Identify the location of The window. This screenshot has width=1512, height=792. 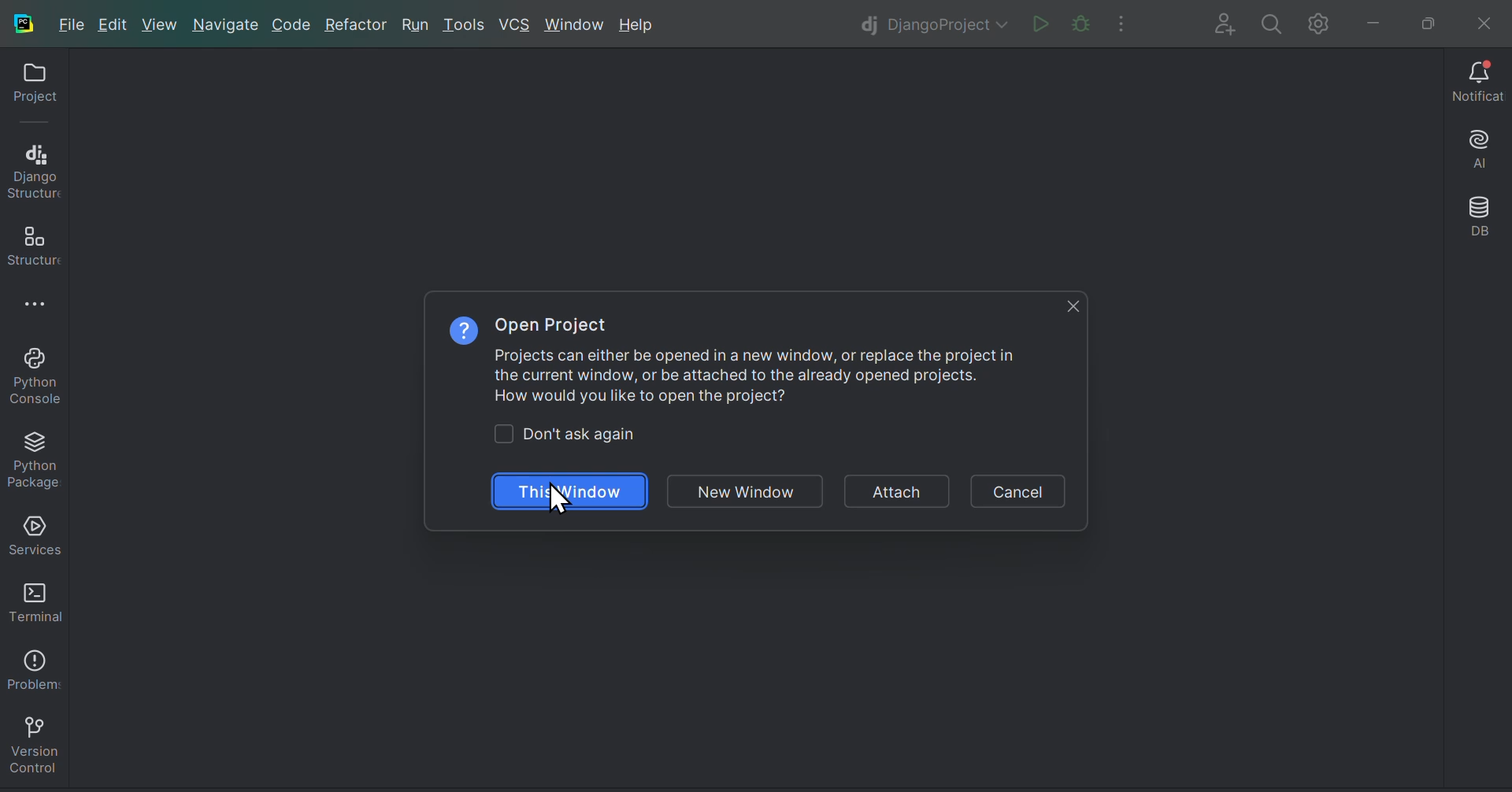
(743, 491).